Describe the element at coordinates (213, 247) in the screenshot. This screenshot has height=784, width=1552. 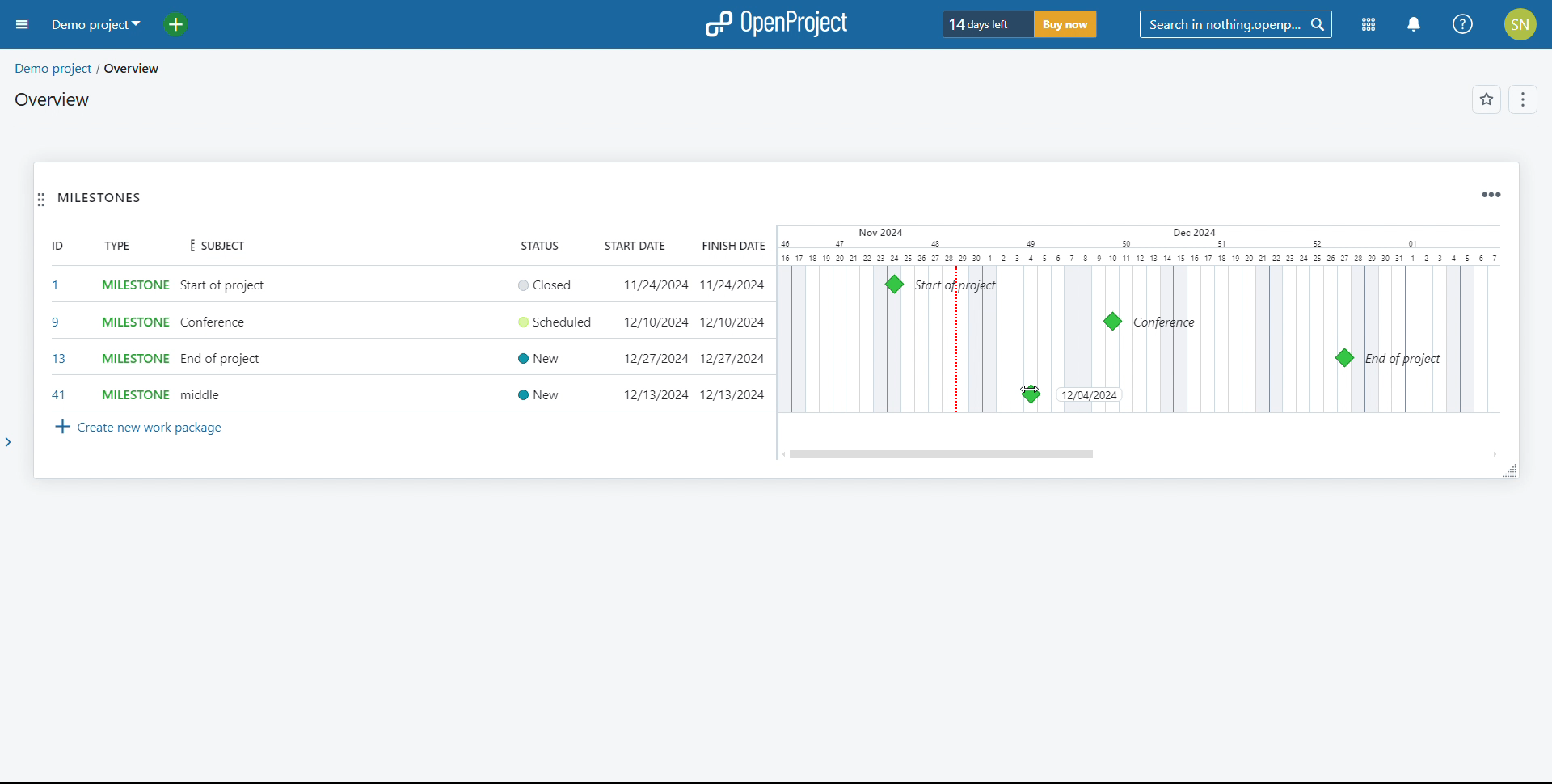
I see `subject` at that location.